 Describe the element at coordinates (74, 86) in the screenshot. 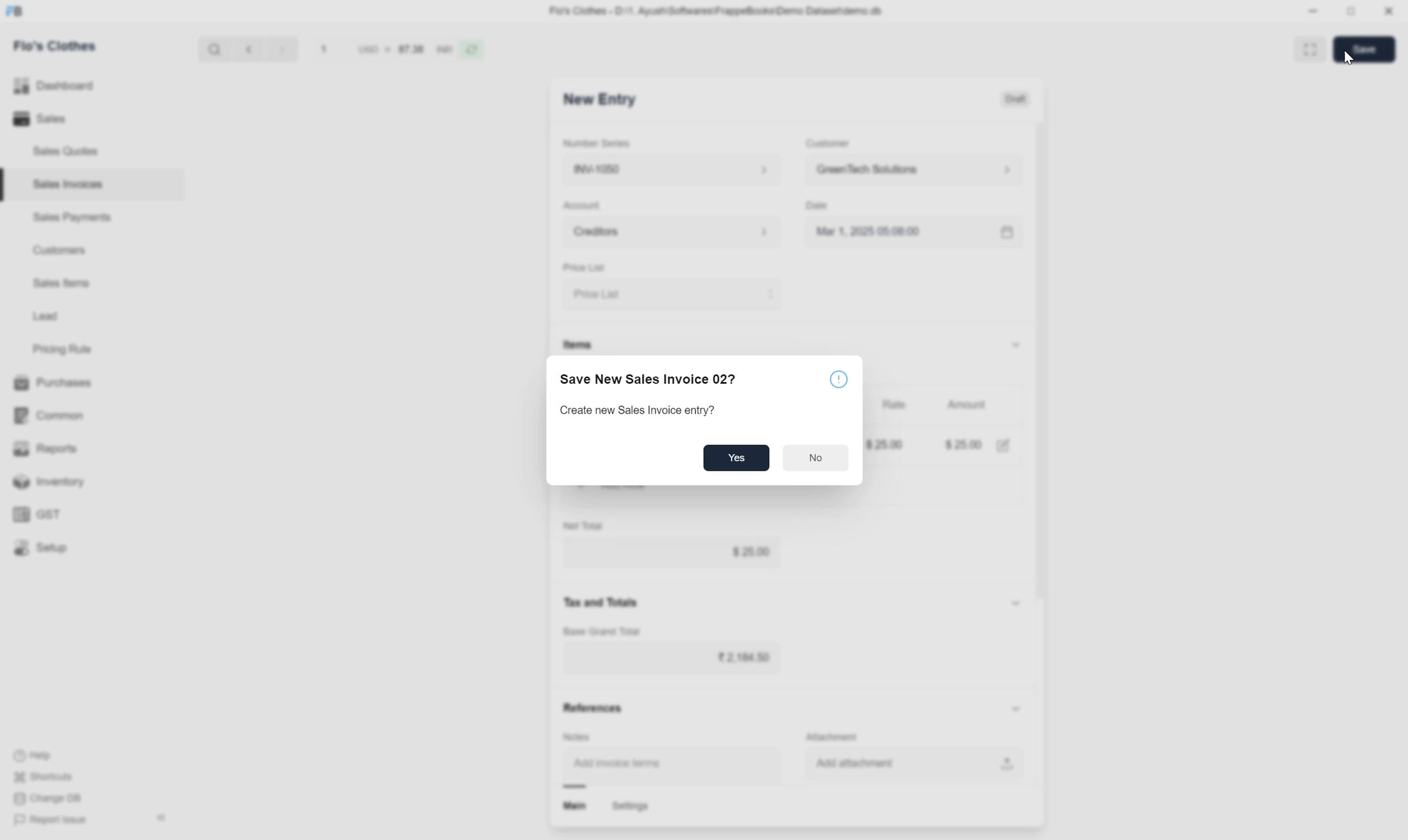

I see `Dashboard ` at that location.